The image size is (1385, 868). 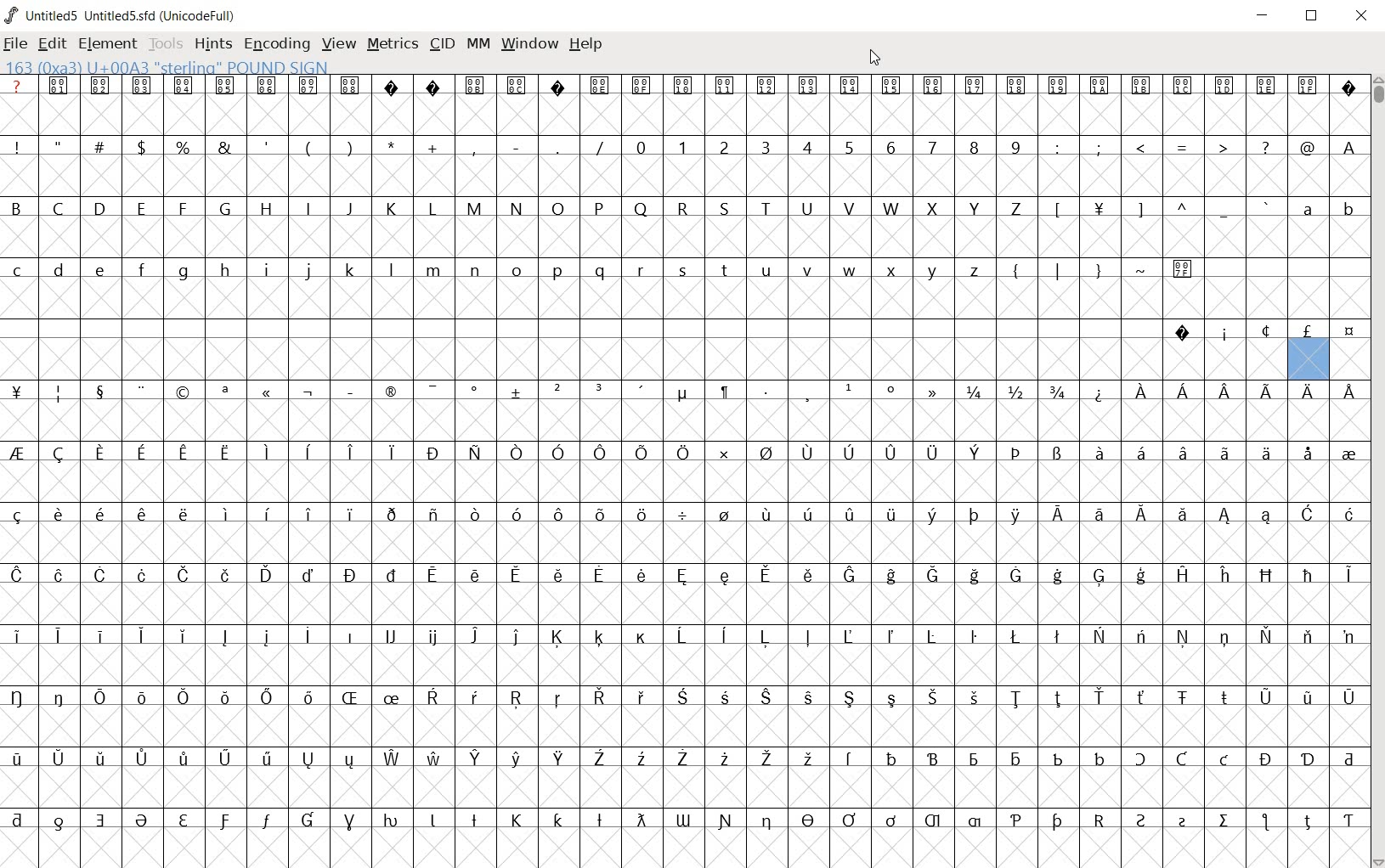 I want to click on Symbol, so click(x=725, y=636).